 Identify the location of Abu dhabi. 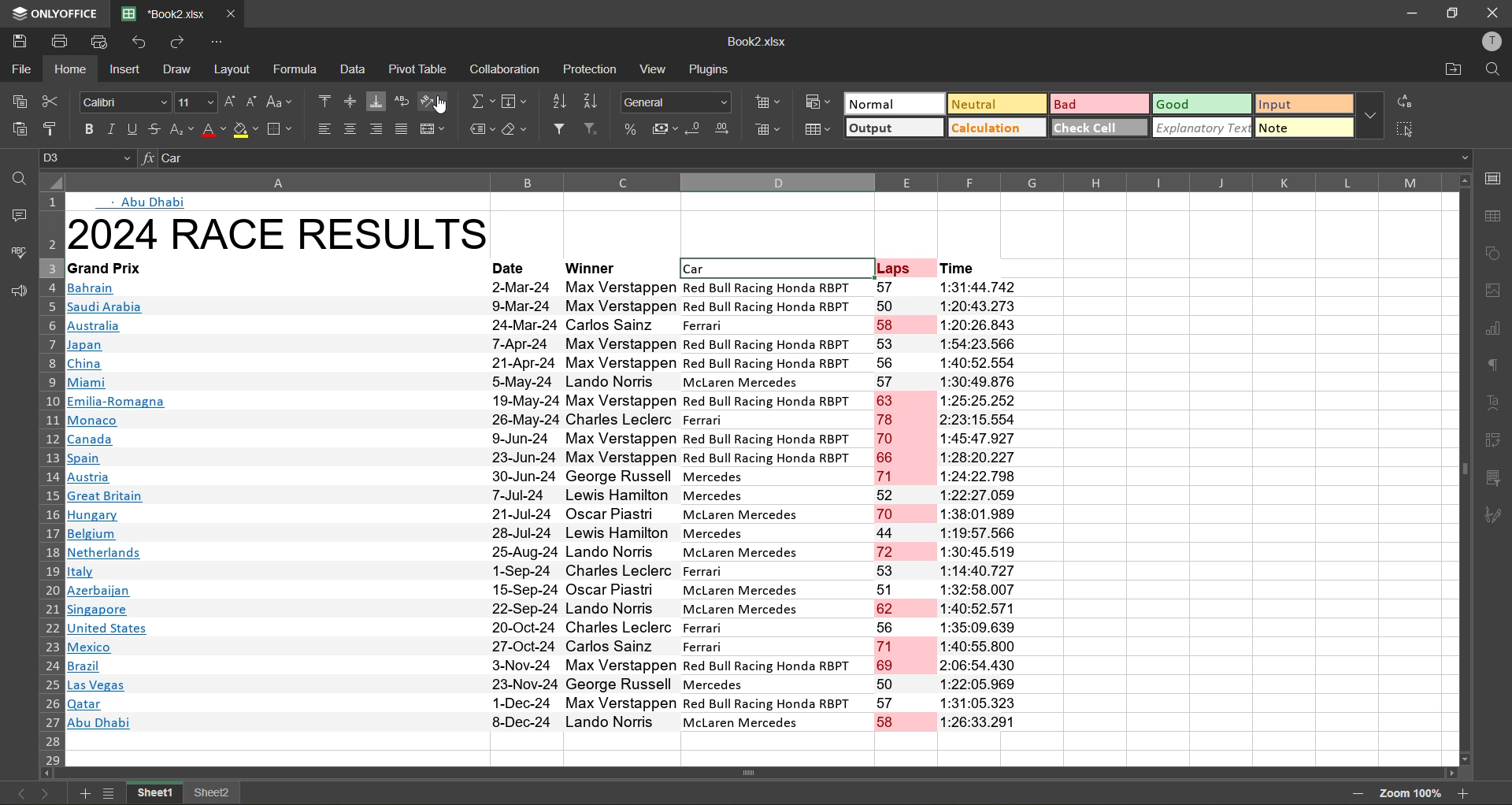
(143, 203).